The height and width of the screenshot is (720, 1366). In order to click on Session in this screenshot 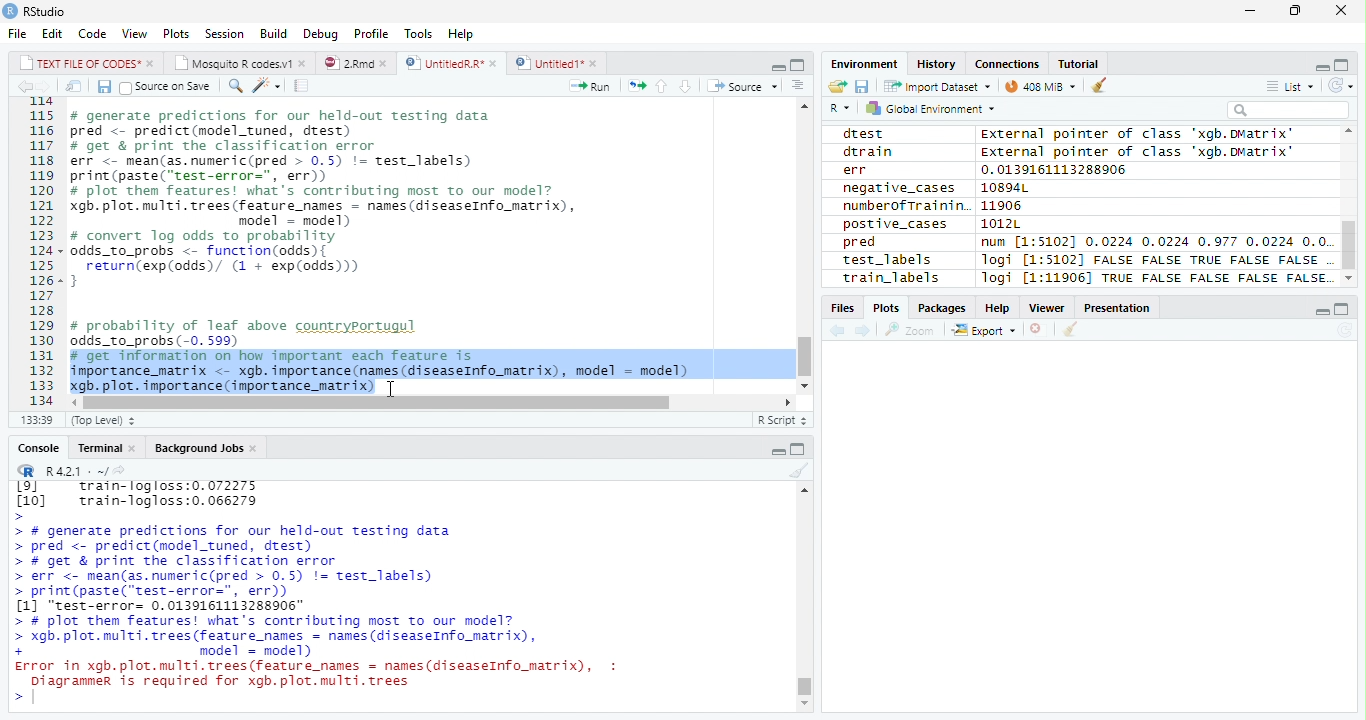, I will do `click(225, 33)`.